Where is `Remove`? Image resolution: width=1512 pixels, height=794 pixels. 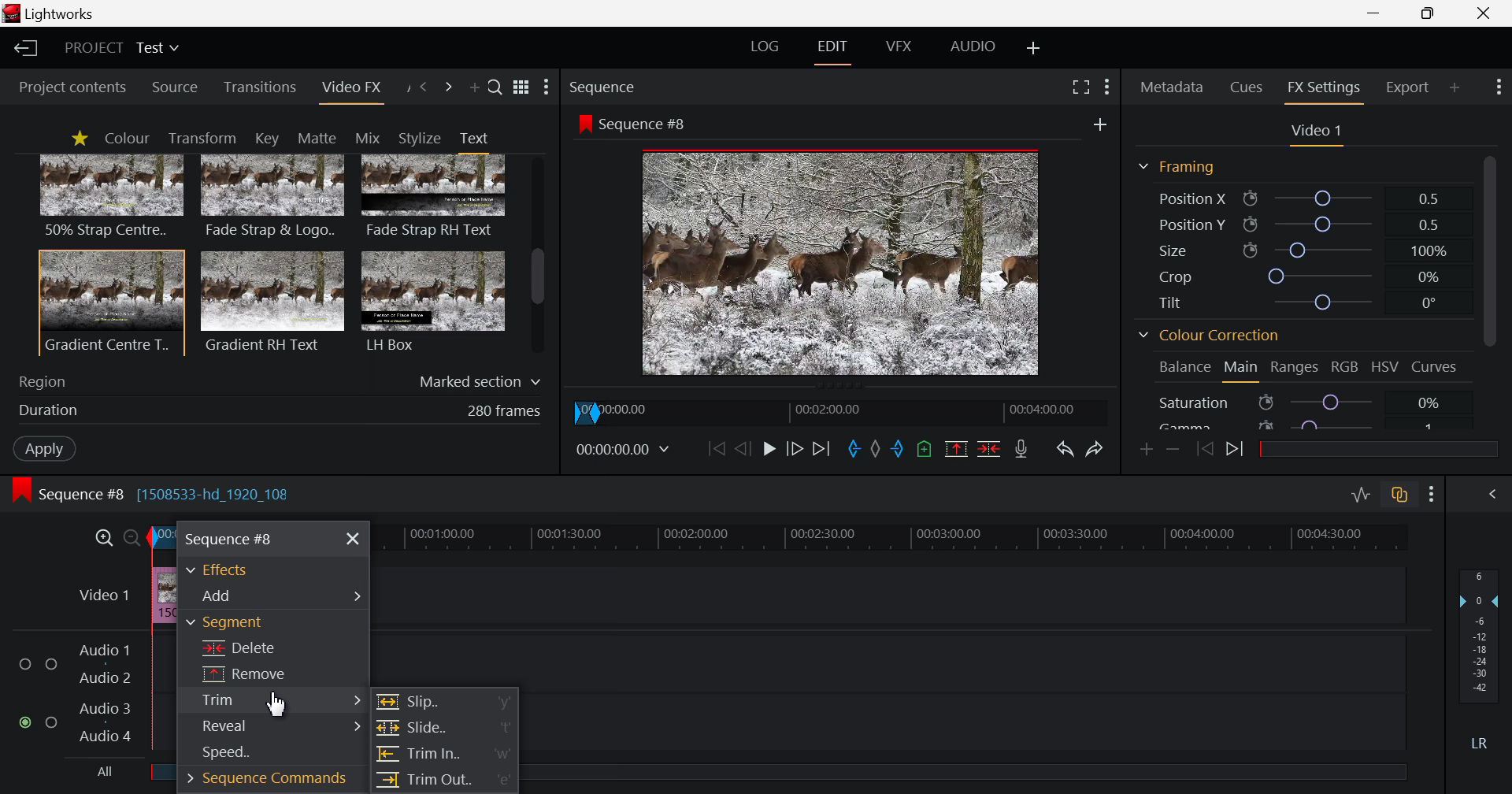 Remove is located at coordinates (275, 673).